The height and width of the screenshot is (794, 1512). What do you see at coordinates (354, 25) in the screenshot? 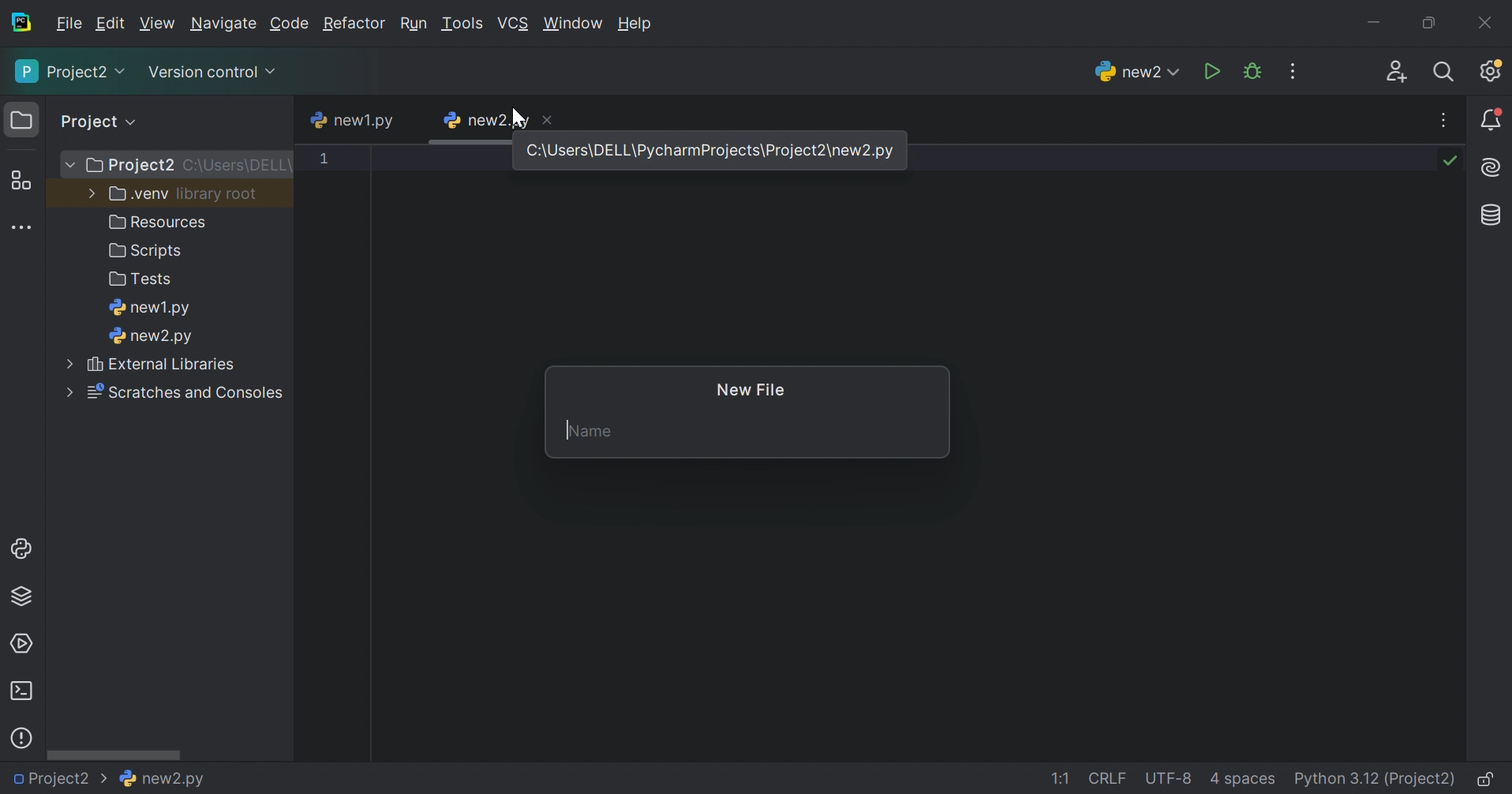
I see `Refactor` at bounding box center [354, 25].